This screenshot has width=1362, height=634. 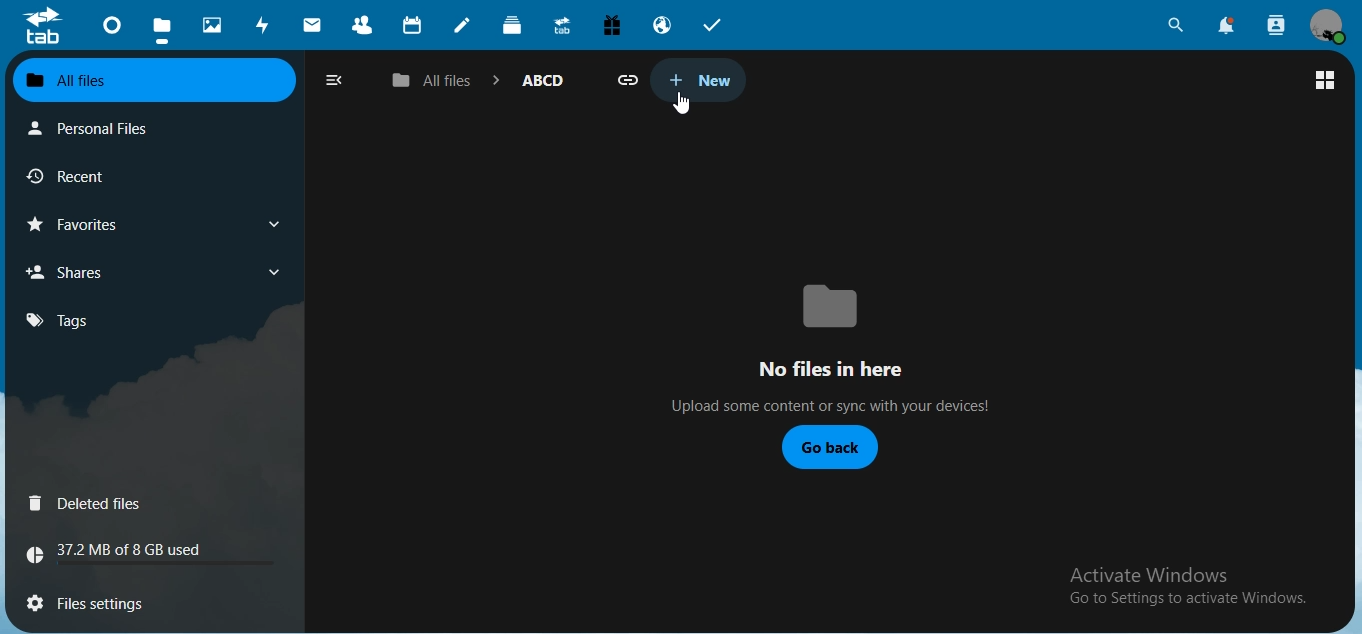 I want to click on notifications, so click(x=1228, y=27).